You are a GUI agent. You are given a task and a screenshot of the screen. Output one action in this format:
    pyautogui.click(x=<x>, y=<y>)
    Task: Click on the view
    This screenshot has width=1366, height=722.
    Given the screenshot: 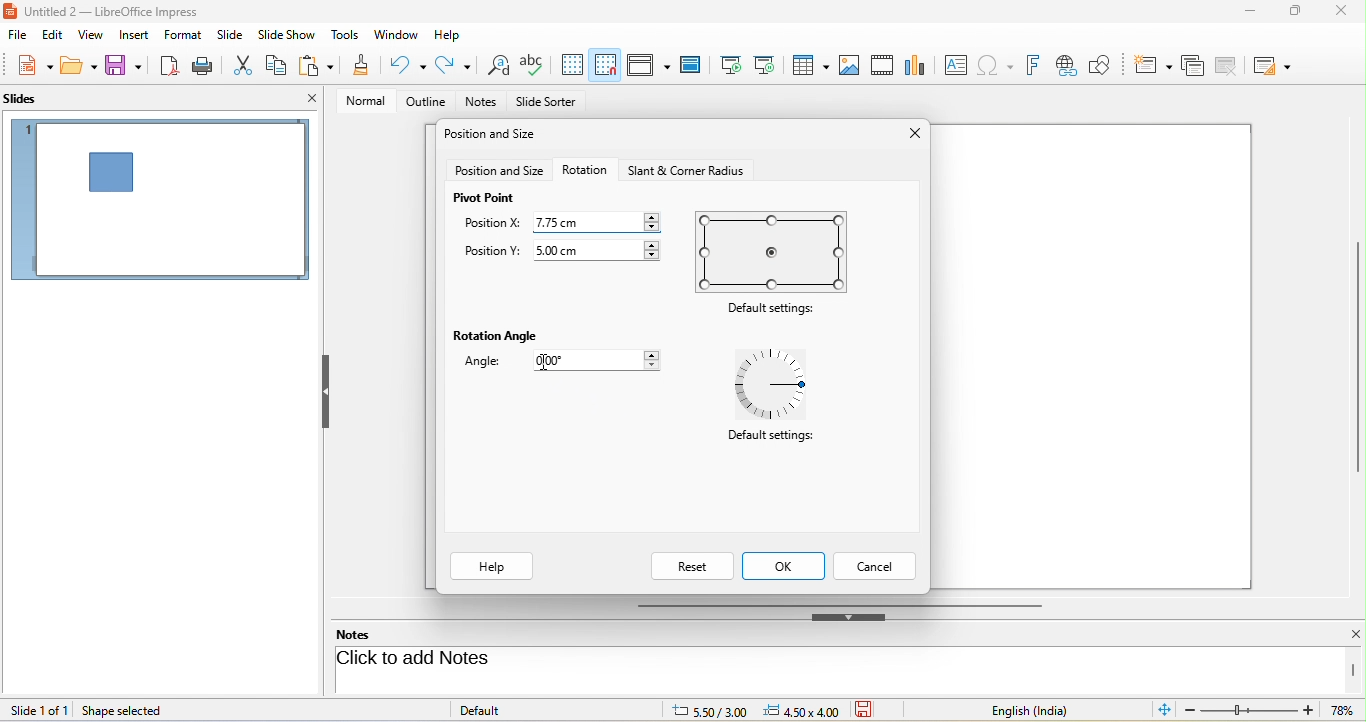 What is the action you would take?
    pyautogui.click(x=88, y=34)
    